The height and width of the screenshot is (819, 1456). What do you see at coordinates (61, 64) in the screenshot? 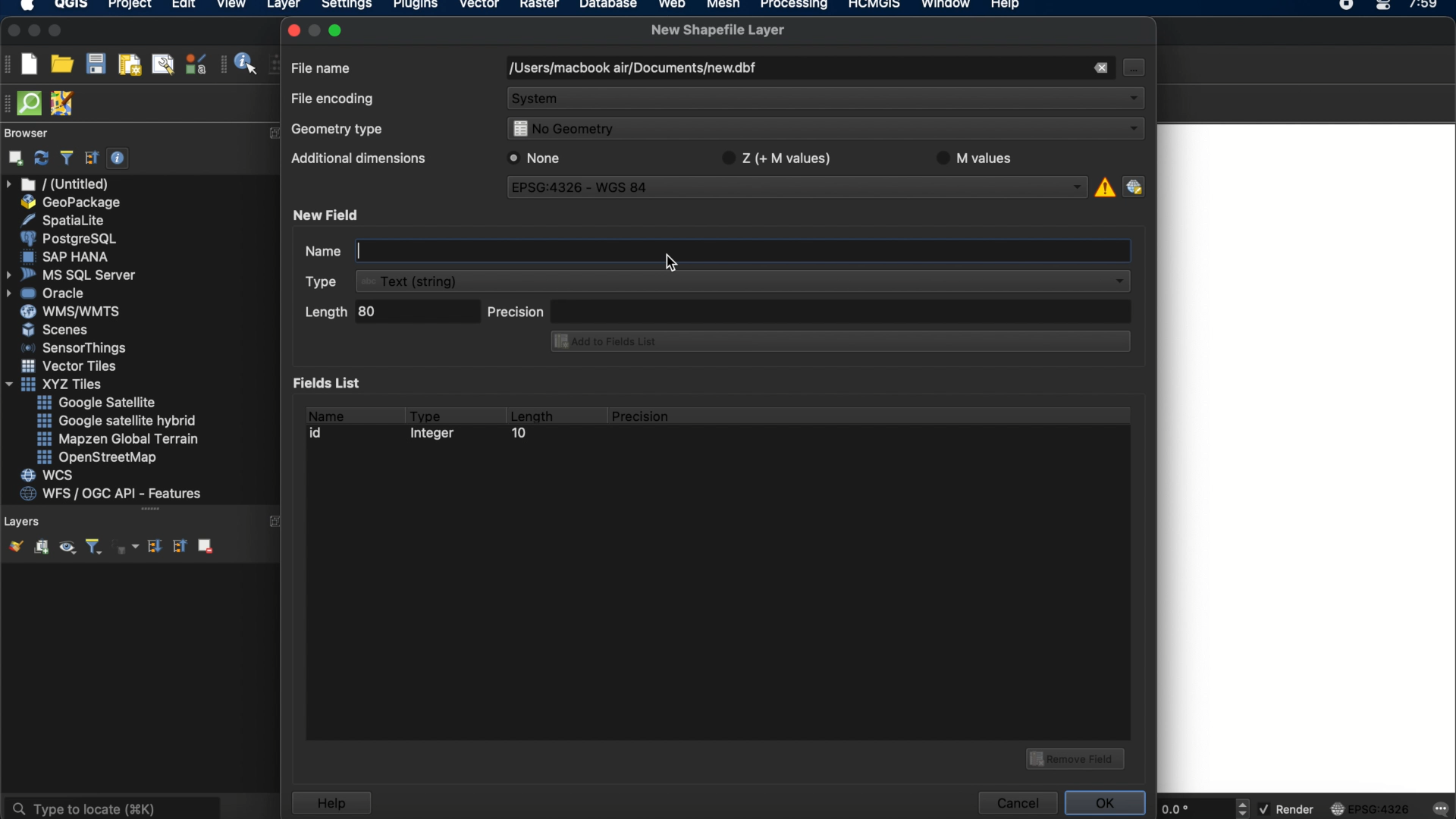
I see `open project` at bounding box center [61, 64].